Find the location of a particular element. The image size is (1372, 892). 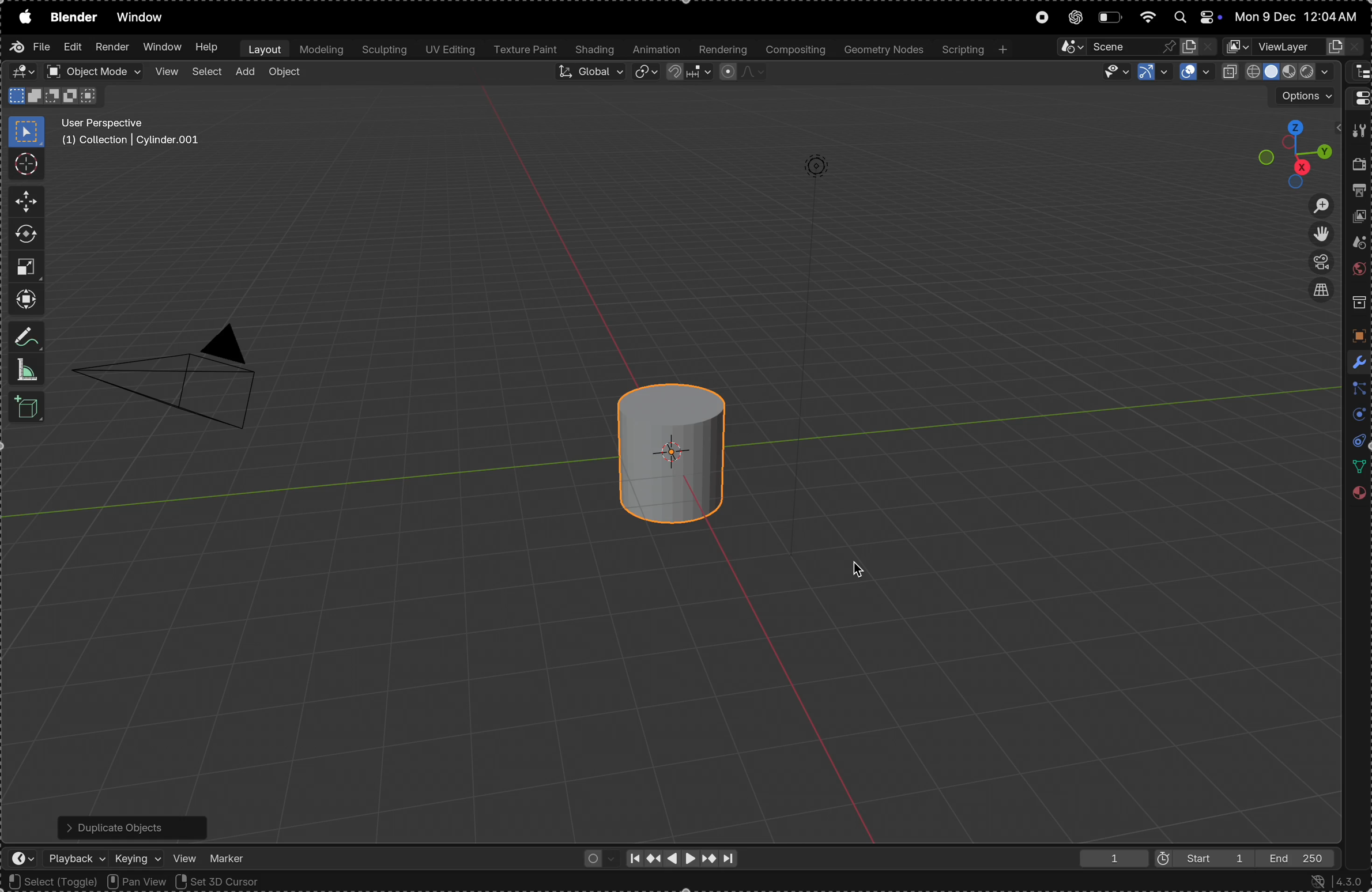

new scene is located at coordinates (1198, 44).